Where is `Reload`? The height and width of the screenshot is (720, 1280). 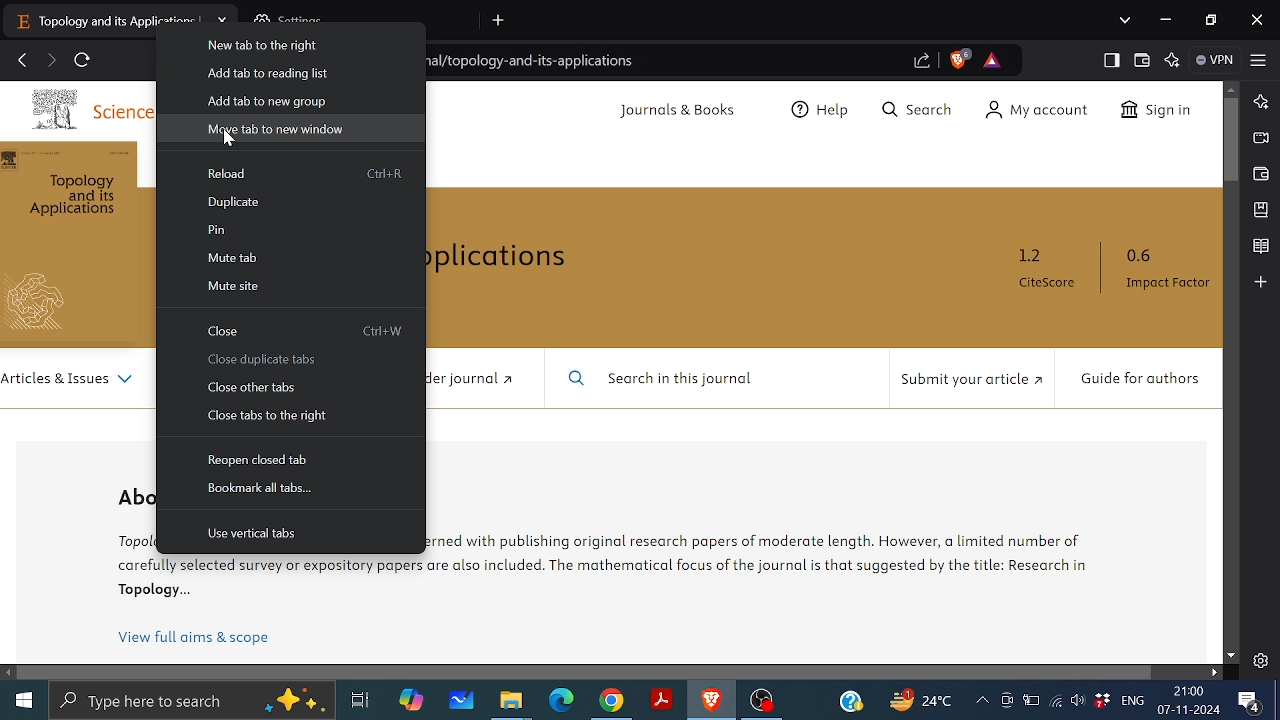 Reload is located at coordinates (232, 173).